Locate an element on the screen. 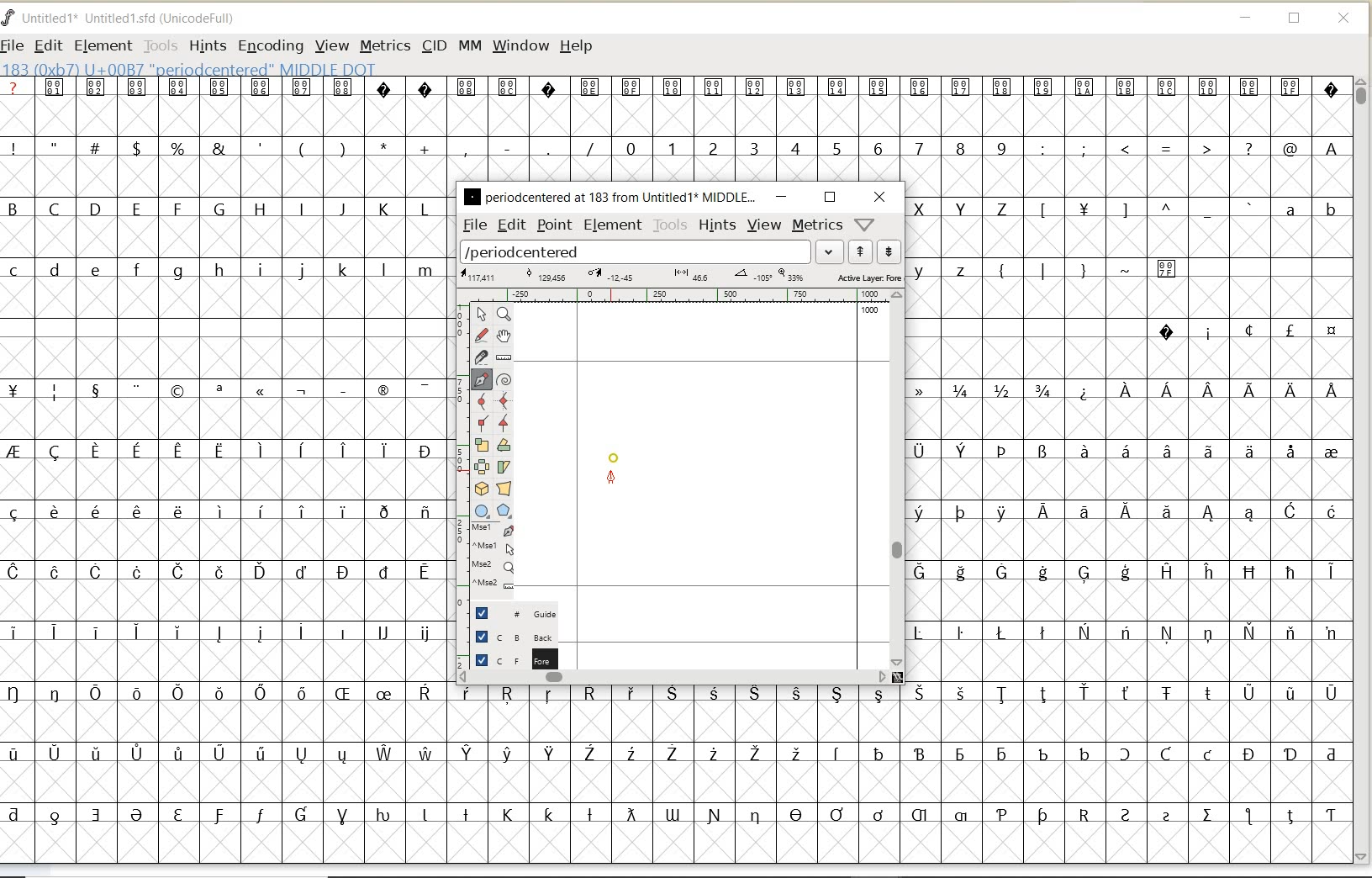  load word list is located at coordinates (636, 252).